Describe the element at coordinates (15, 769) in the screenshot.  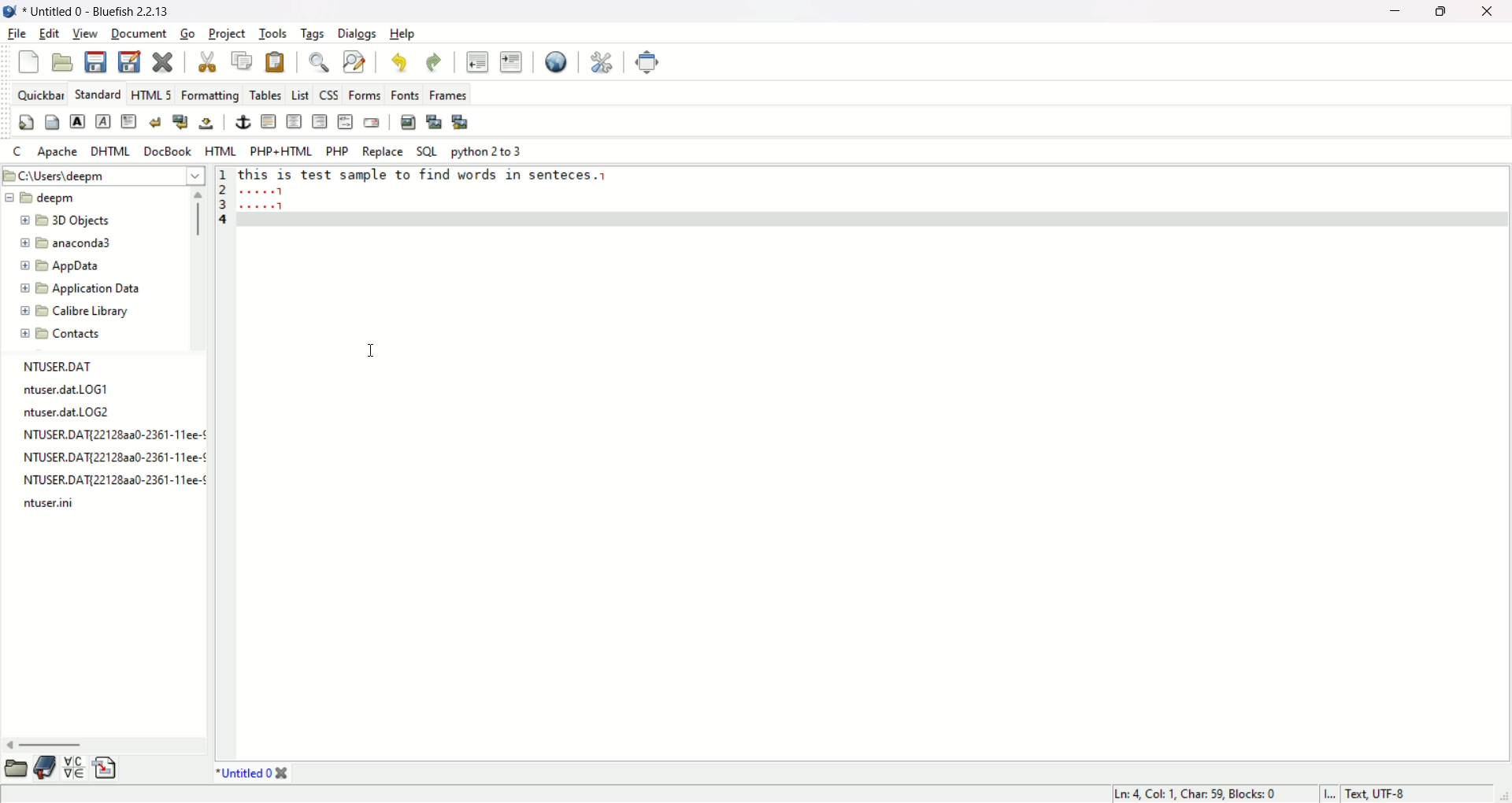
I see `file explorer` at that location.